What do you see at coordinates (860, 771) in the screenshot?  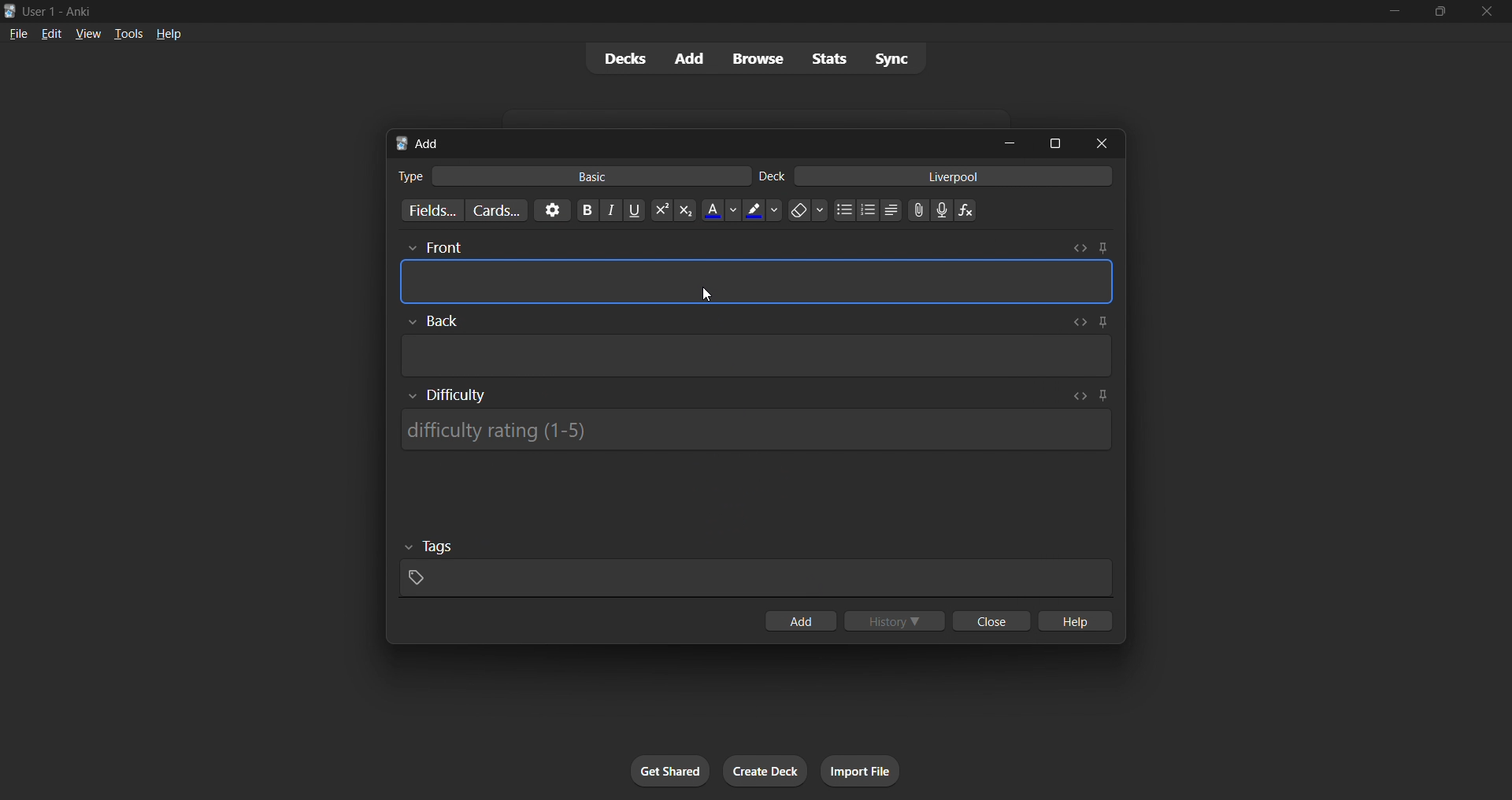 I see `import file` at bounding box center [860, 771].